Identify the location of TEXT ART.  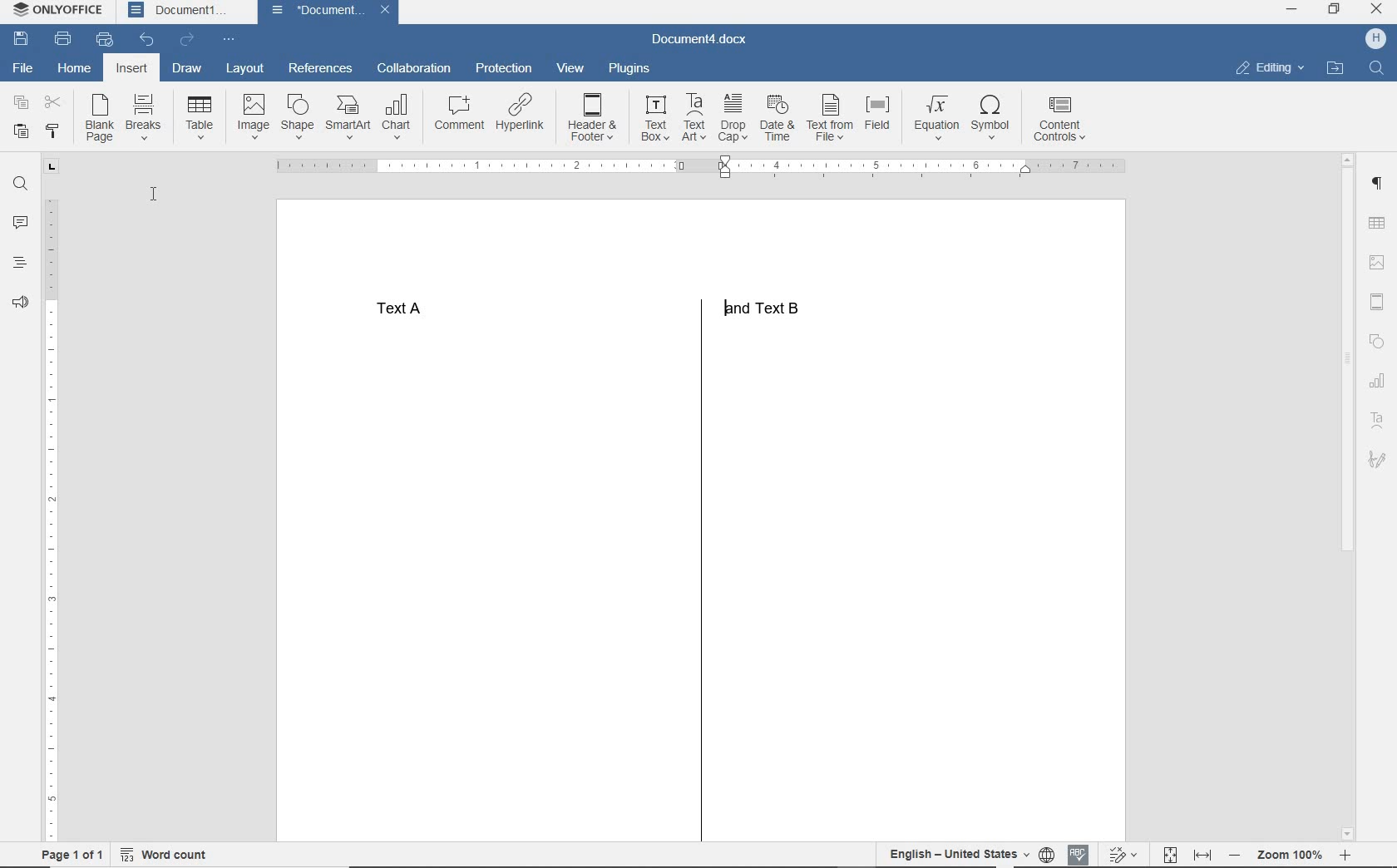
(694, 118).